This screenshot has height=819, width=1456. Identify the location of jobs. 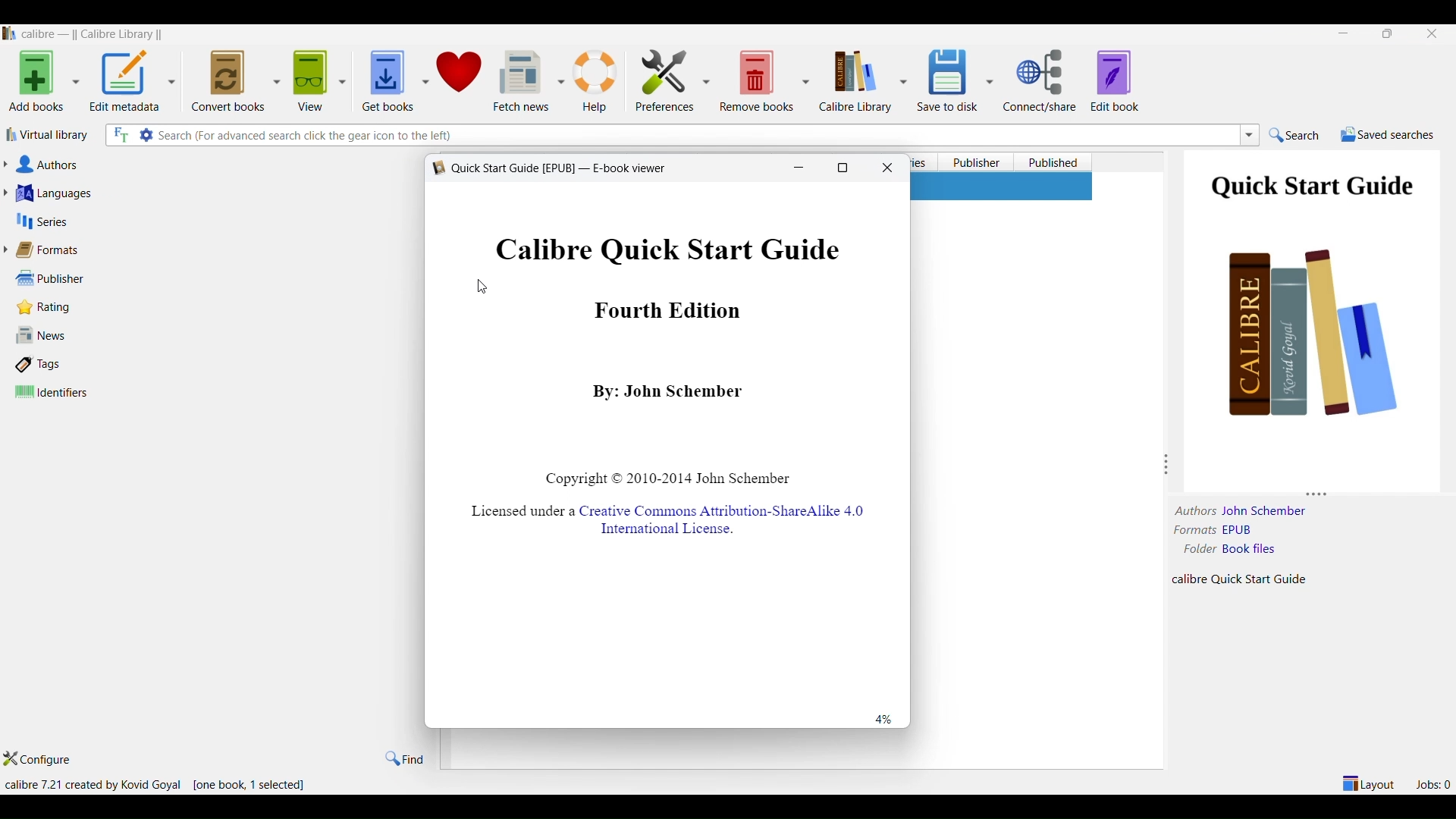
(1434, 783).